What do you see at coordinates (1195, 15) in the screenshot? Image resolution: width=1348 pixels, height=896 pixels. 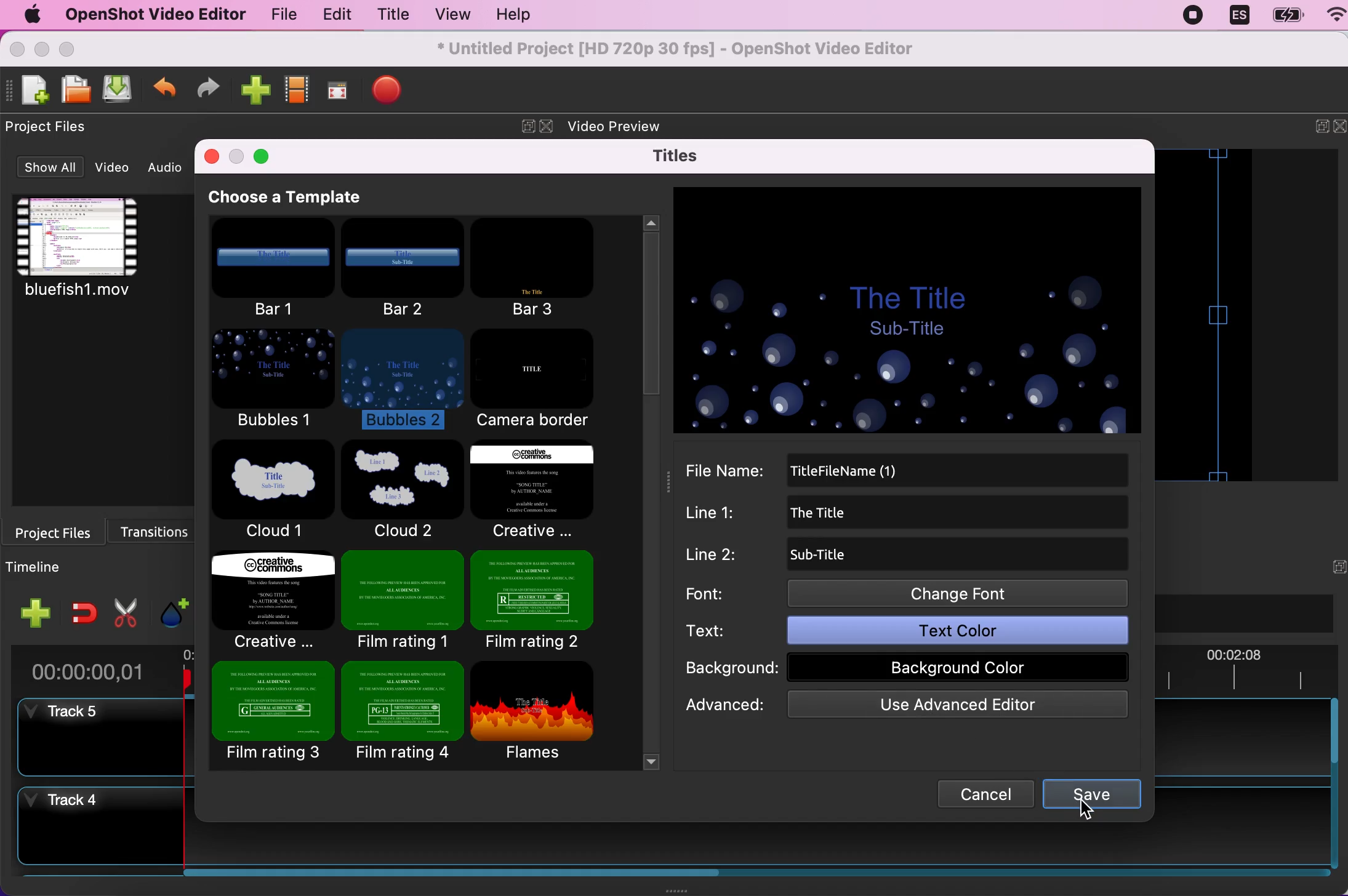 I see `recording stopped` at bounding box center [1195, 15].